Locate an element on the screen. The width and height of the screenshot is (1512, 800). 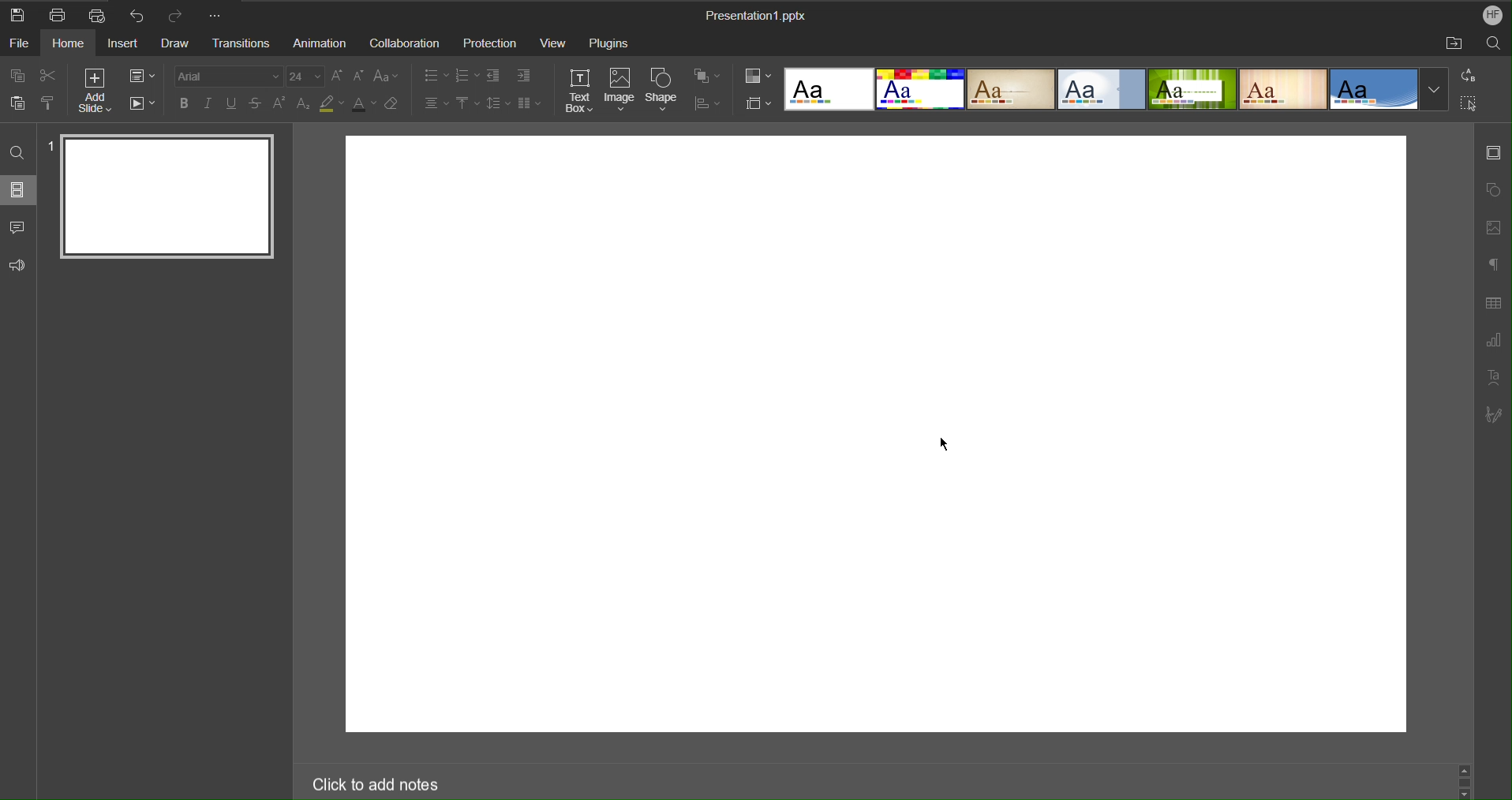
View is located at coordinates (556, 41).